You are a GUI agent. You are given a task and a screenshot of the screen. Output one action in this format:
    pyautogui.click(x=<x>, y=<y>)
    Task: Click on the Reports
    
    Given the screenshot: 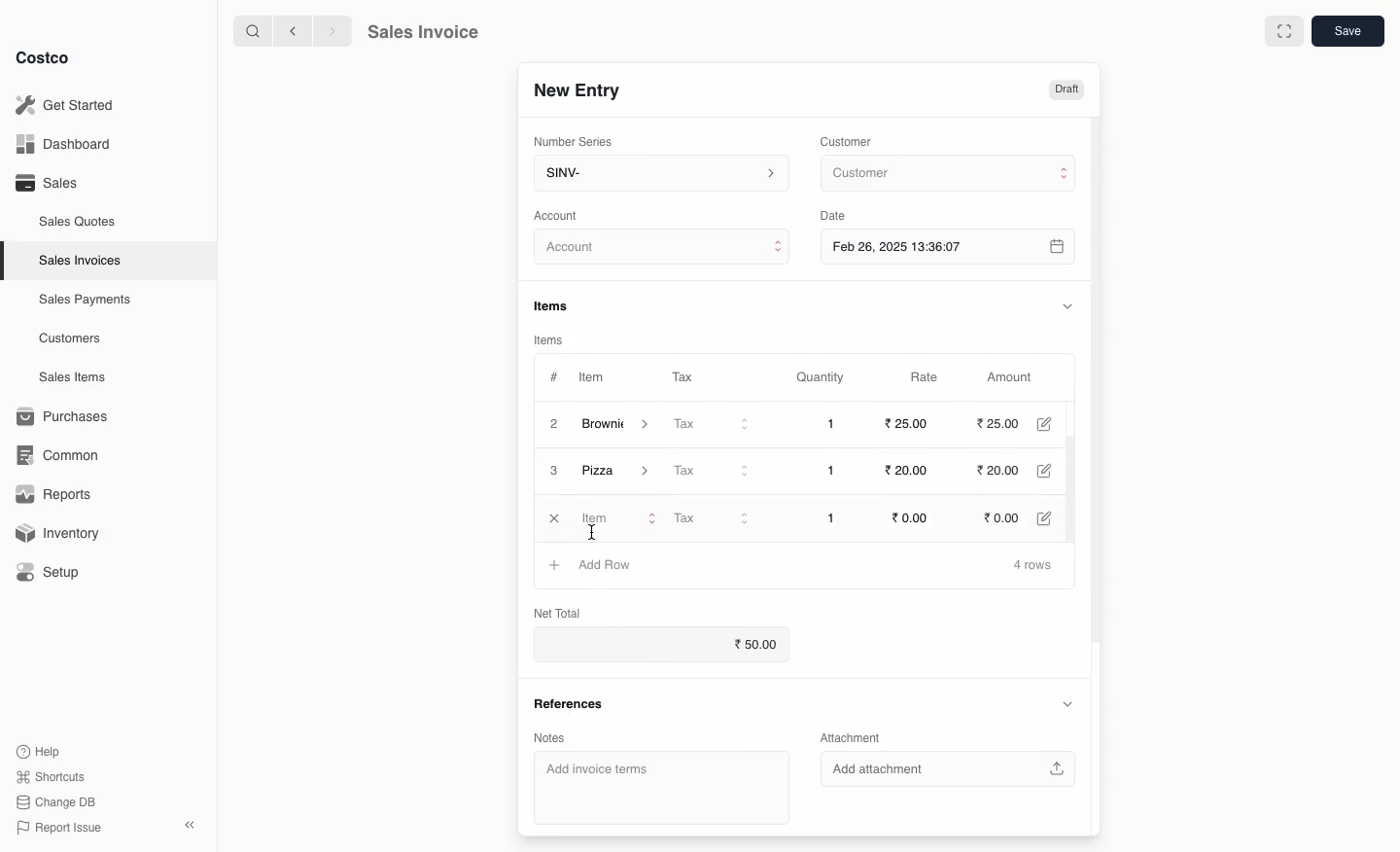 What is the action you would take?
    pyautogui.click(x=54, y=496)
    